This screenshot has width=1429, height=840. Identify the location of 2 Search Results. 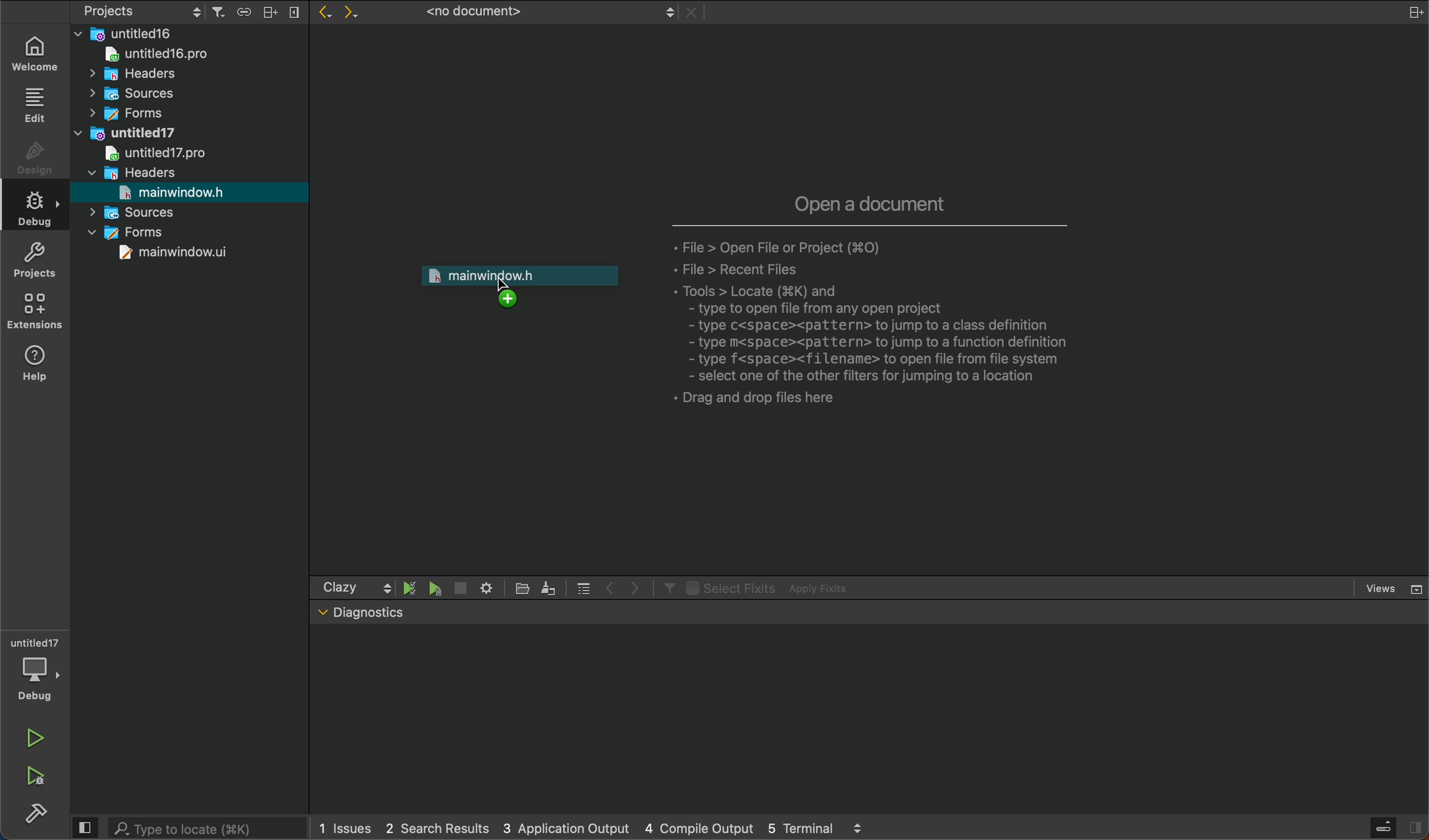
(434, 827).